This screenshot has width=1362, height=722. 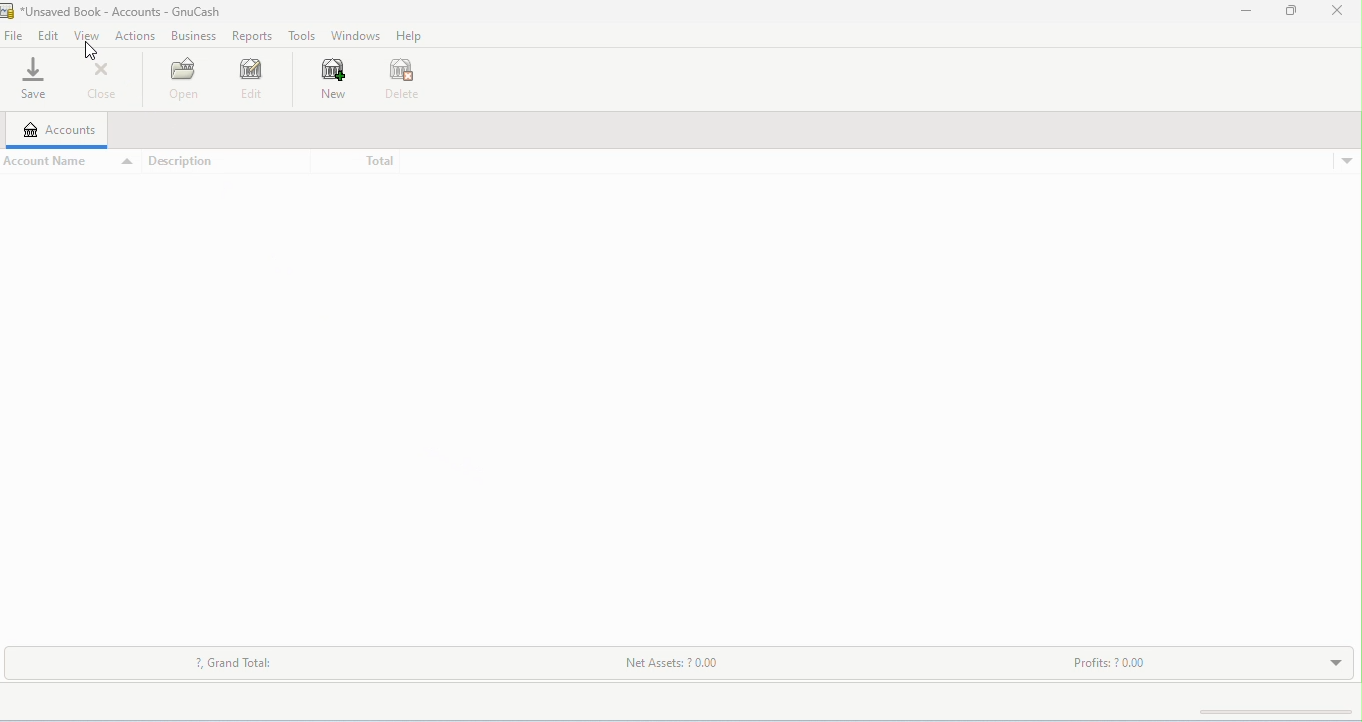 I want to click on accounts, so click(x=59, y=130).